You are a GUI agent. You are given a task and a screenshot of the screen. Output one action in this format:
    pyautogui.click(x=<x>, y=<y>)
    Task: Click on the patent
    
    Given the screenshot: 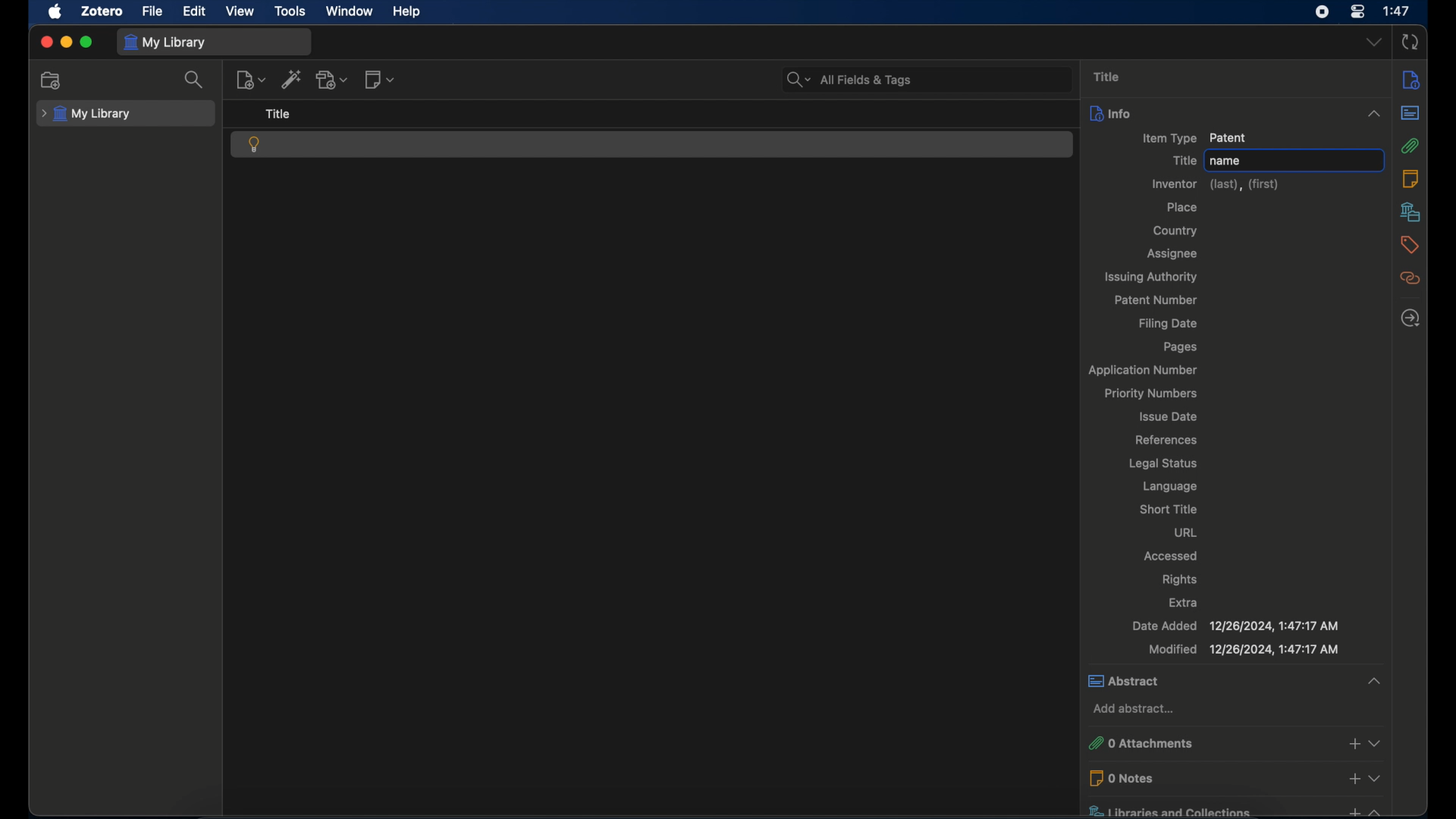 What is the action you would take?
    pyautogui.click(x=255, y=144)
    